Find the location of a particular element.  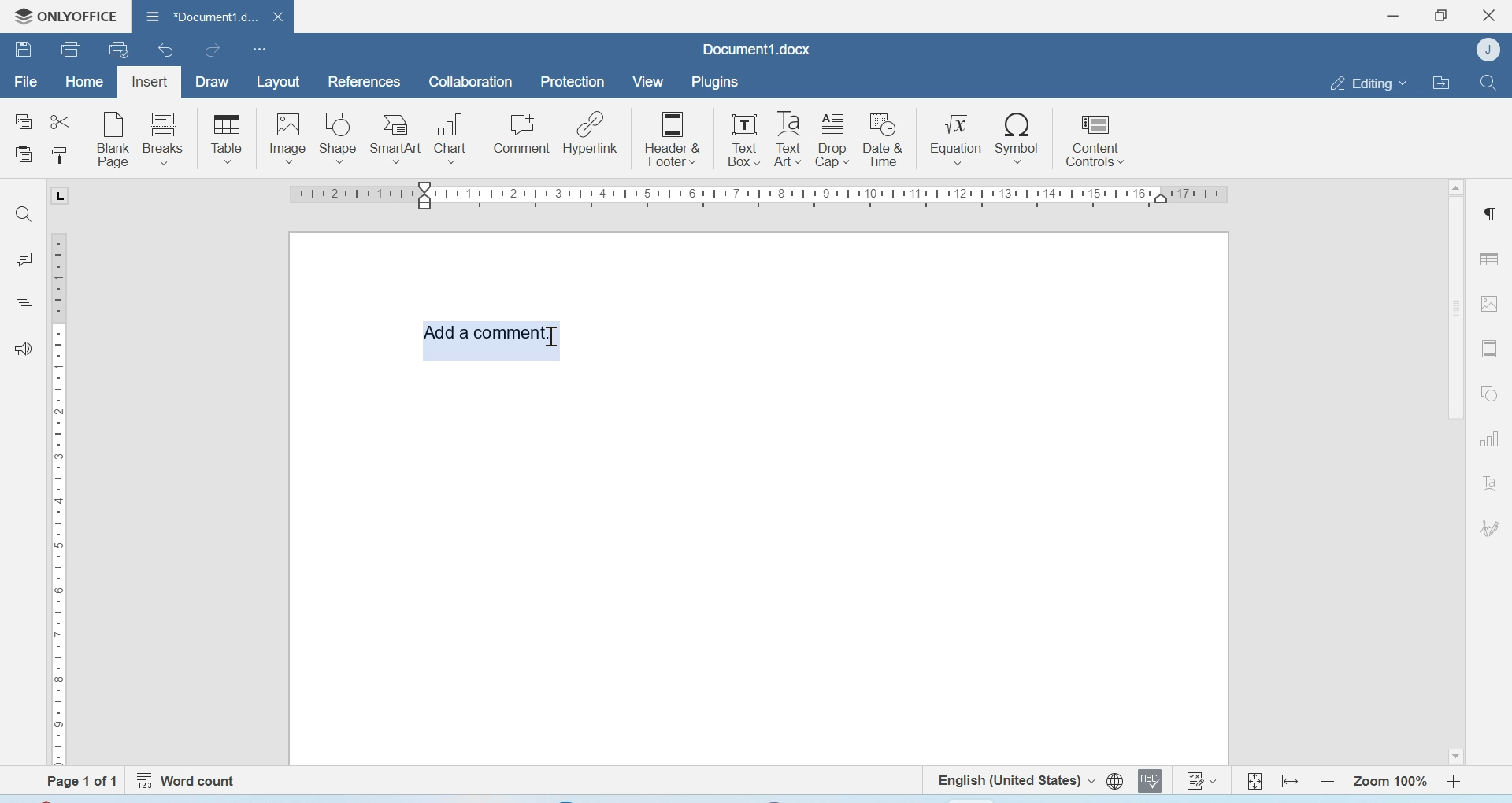

 is located at coordinates (1488, 50).